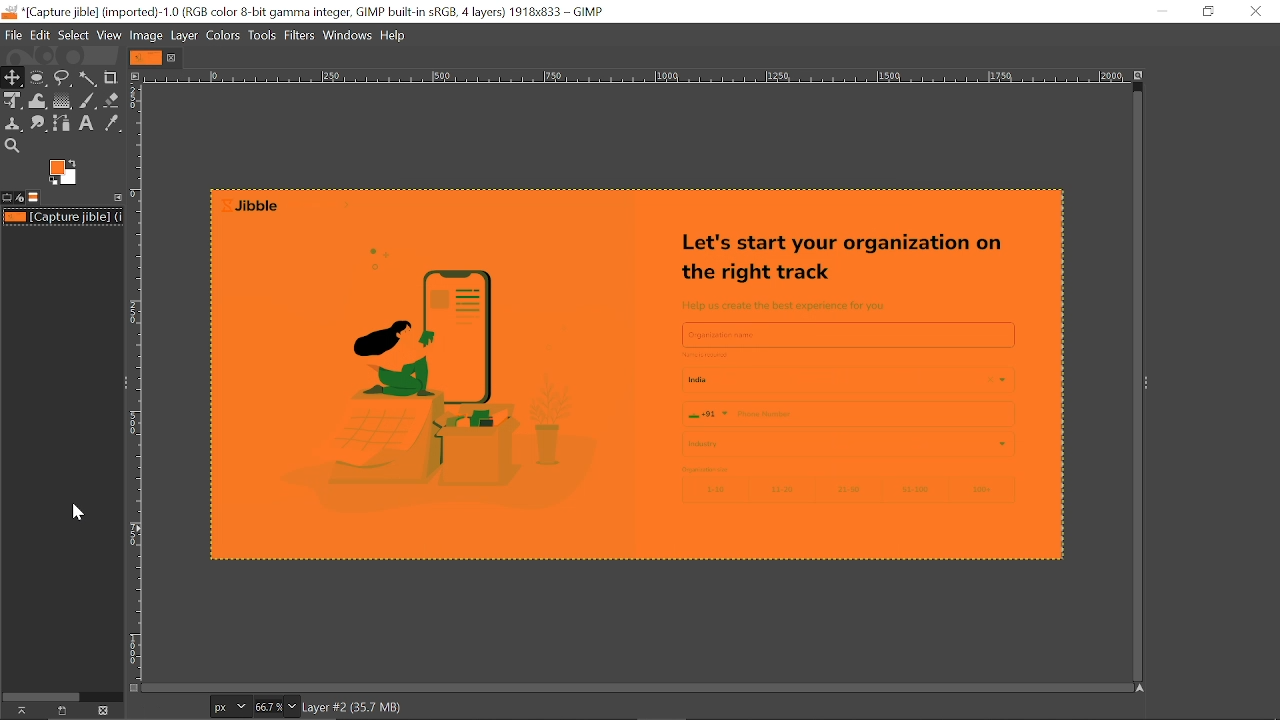 The height and width of the screenshot is (720, 1280). I want to click on Current window, so click(317, 11).